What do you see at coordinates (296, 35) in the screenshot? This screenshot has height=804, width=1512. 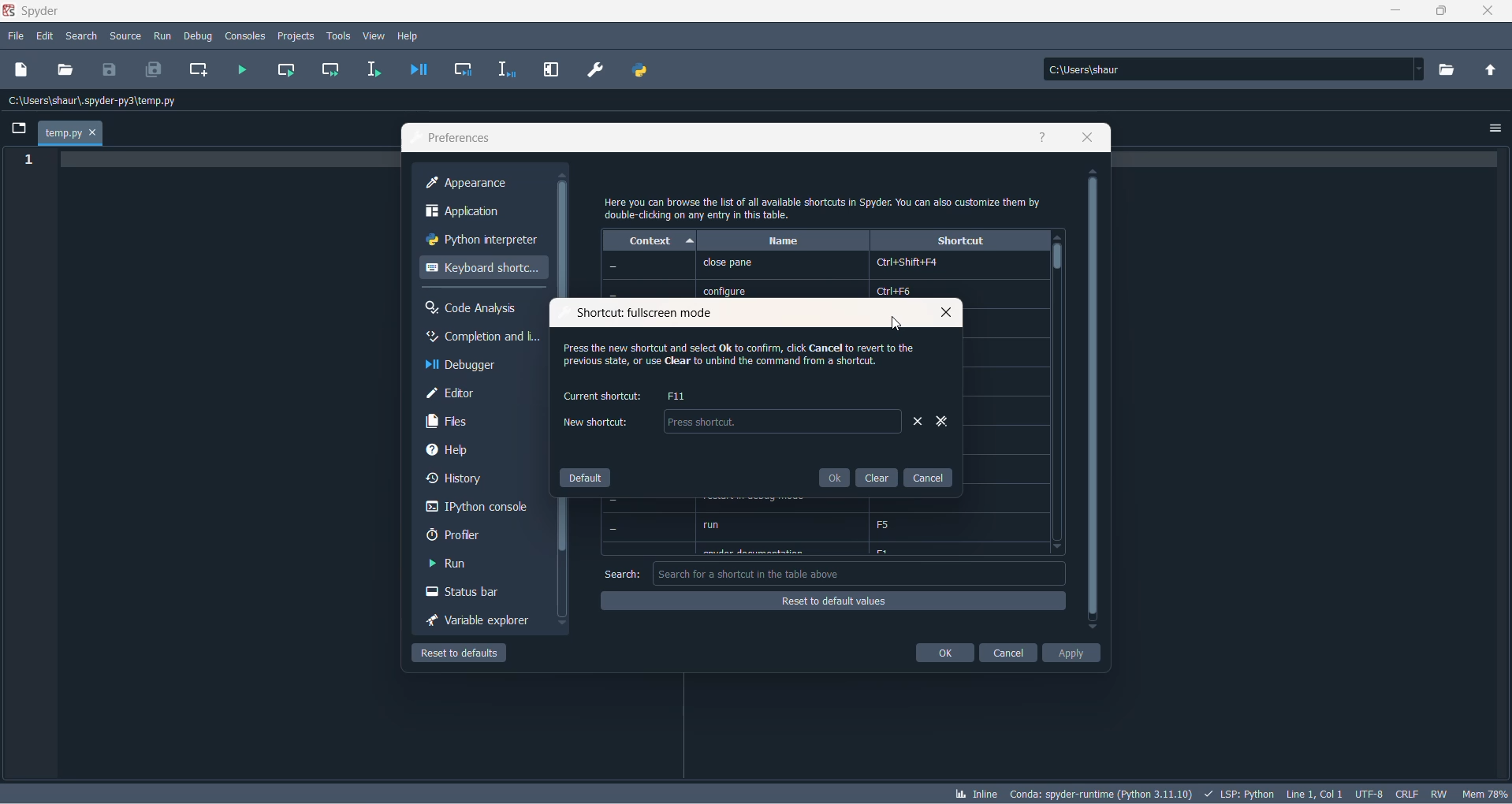 I see `projects` at bounding box center [296, 35].